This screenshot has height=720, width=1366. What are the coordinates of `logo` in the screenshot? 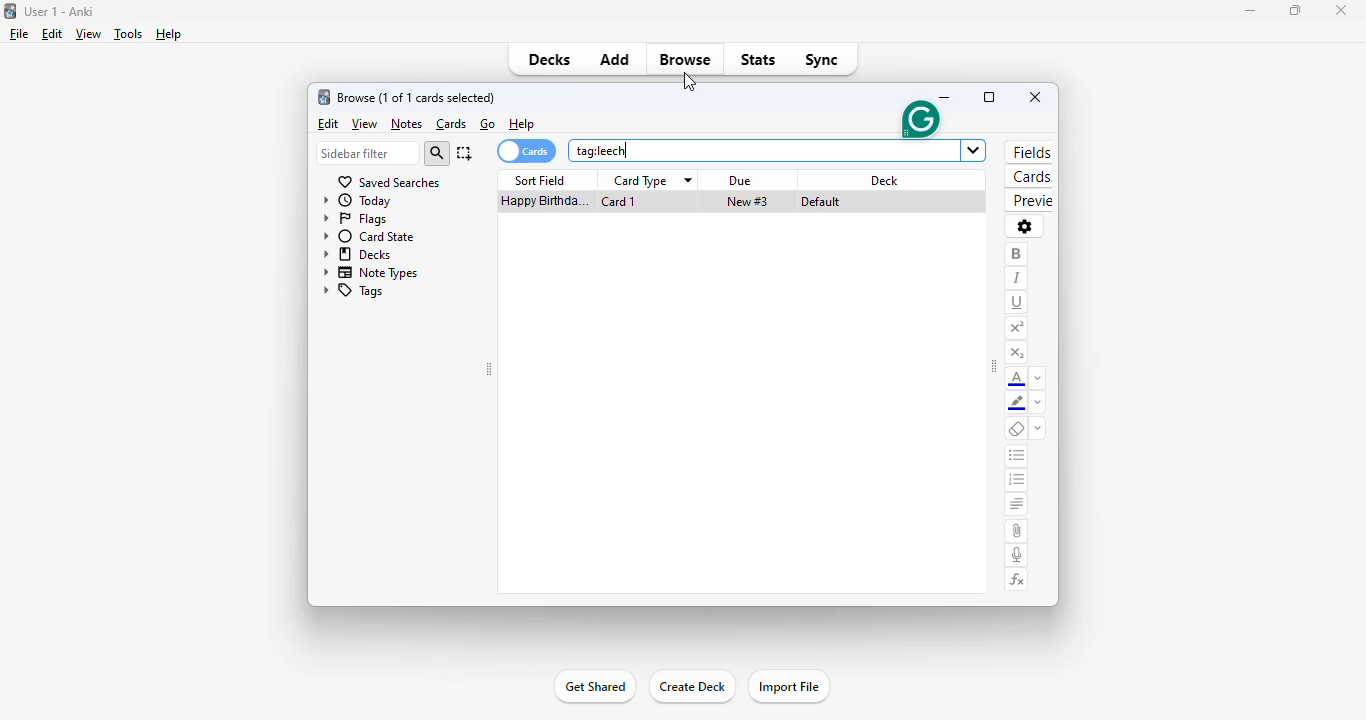 It's located at (10, 11).